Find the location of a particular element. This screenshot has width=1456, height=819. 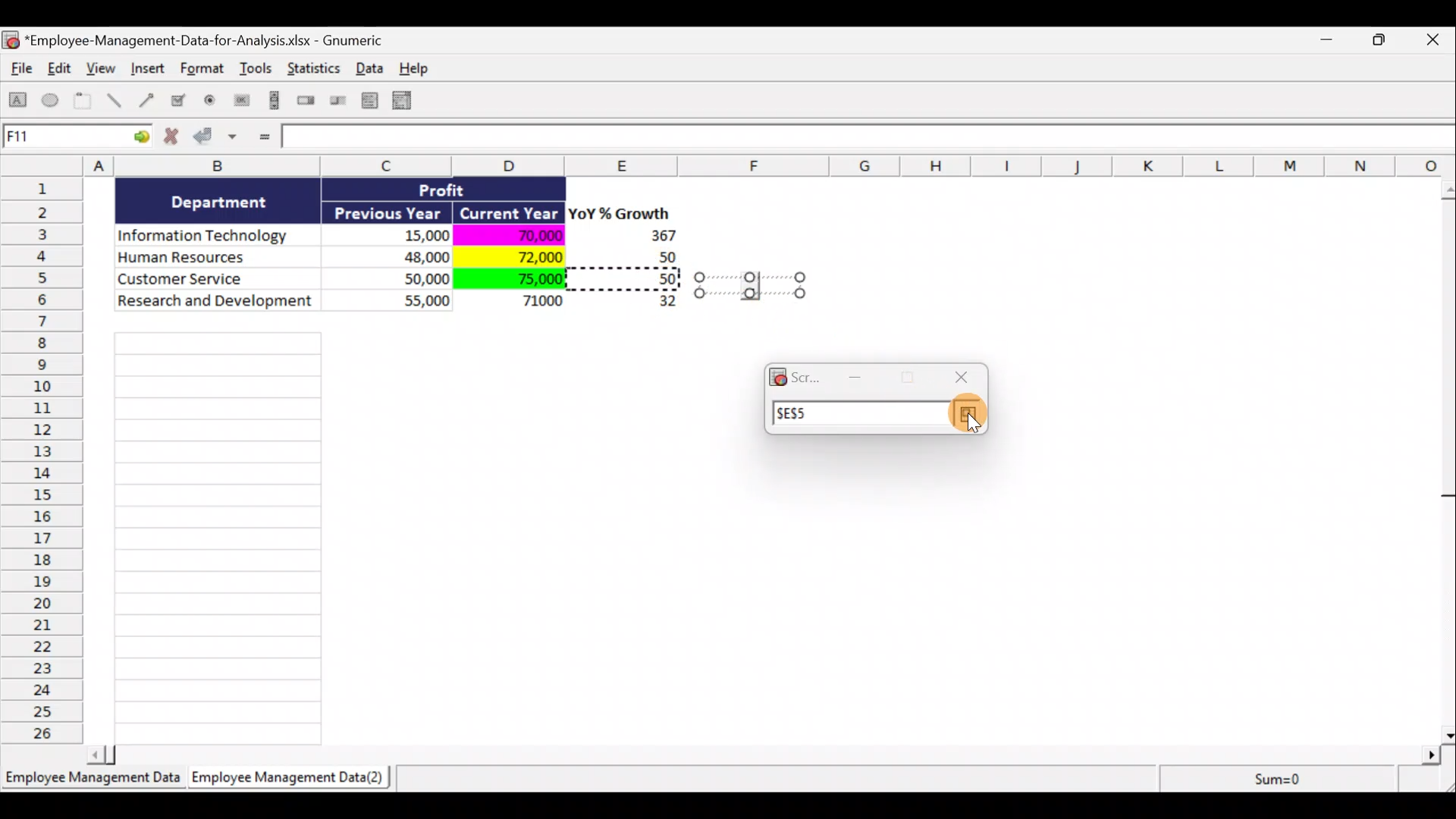

Scroll bar is located at coordinates (1446, 458).